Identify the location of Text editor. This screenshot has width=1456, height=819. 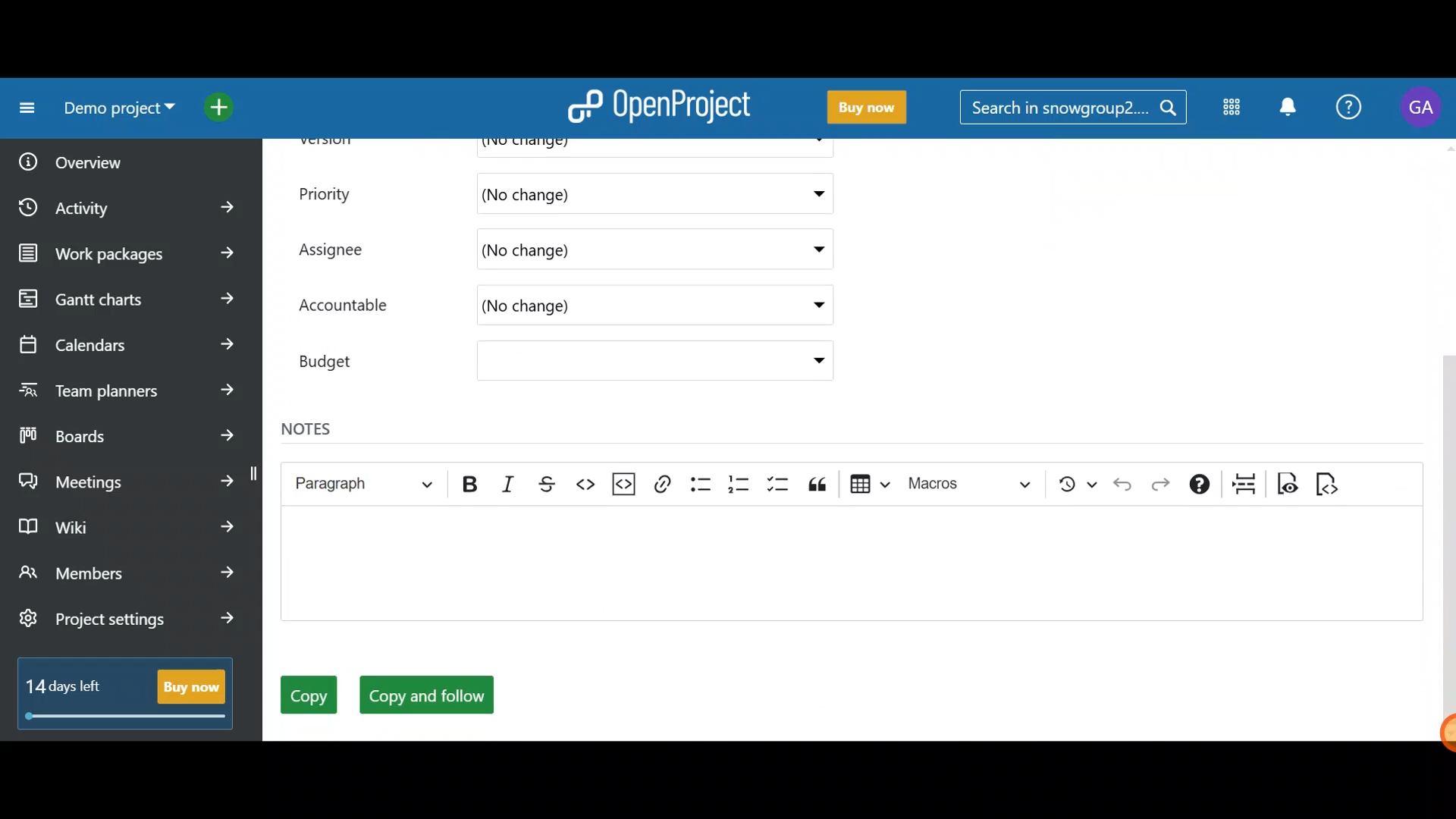
(837, 570).